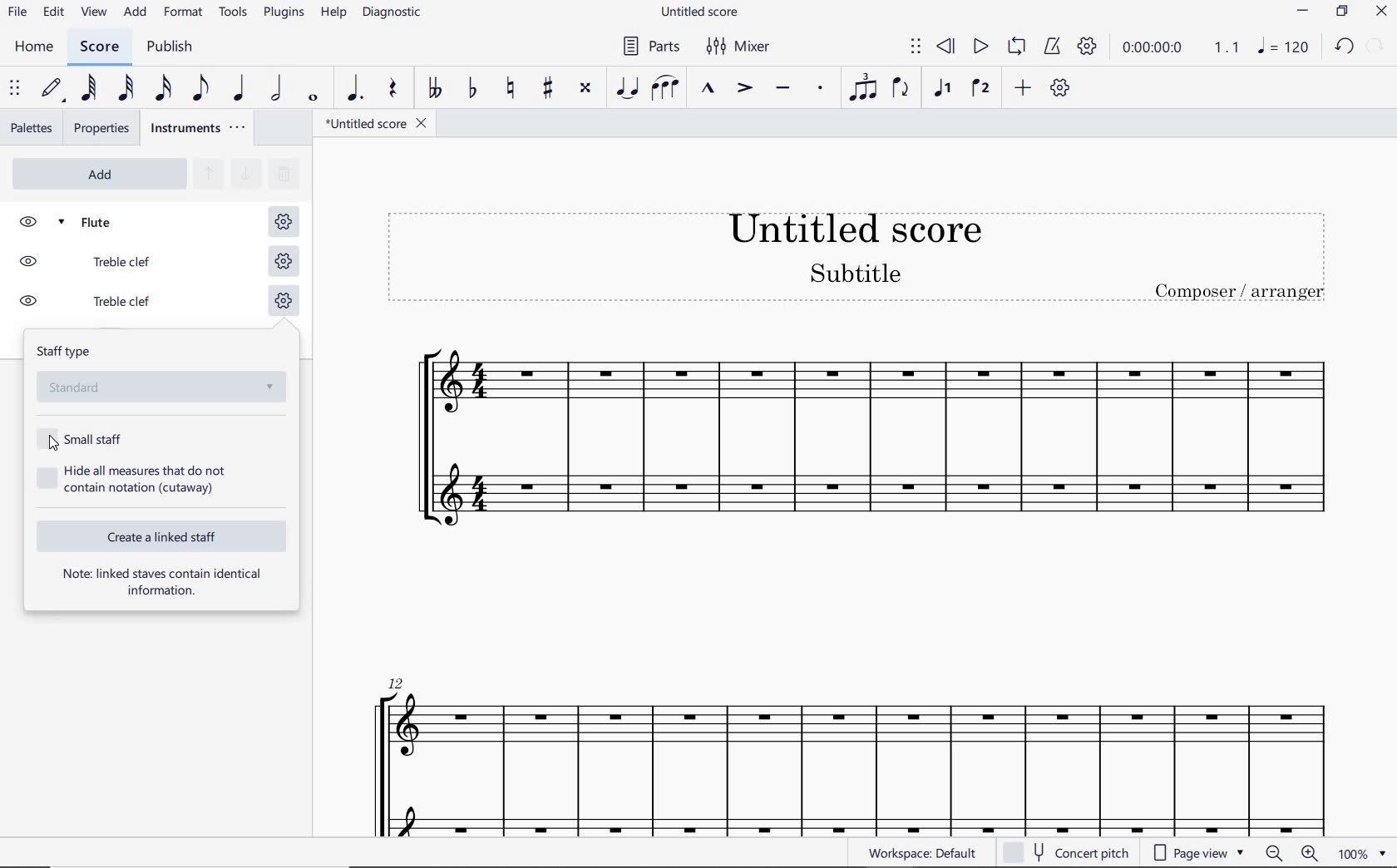  Describe the element at coordinates (32, 130) in the screenshot. I see `palettes` at that location.